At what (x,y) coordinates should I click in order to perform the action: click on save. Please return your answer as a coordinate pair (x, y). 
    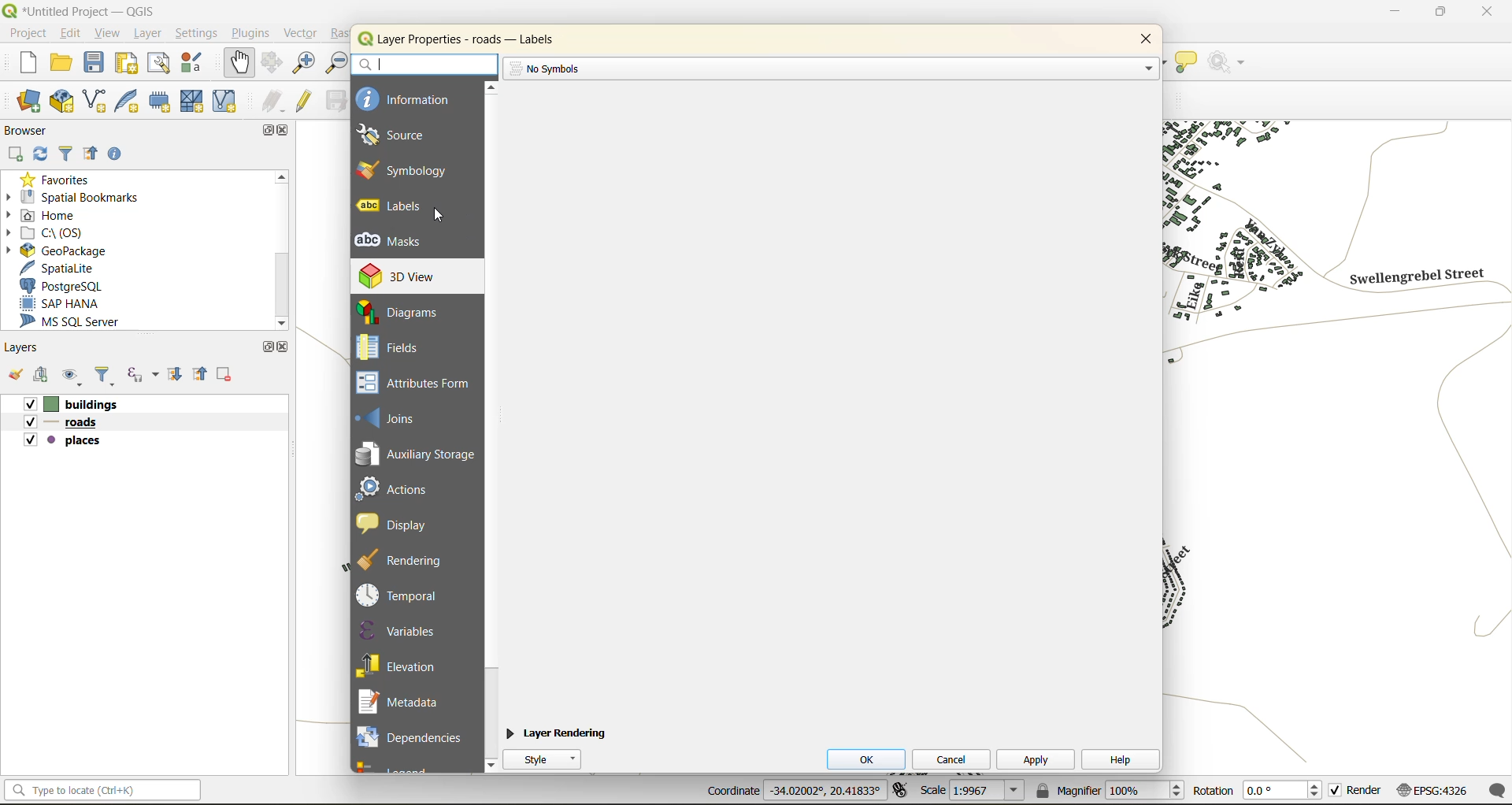
    Looking at the image, I should click on (94, 62).